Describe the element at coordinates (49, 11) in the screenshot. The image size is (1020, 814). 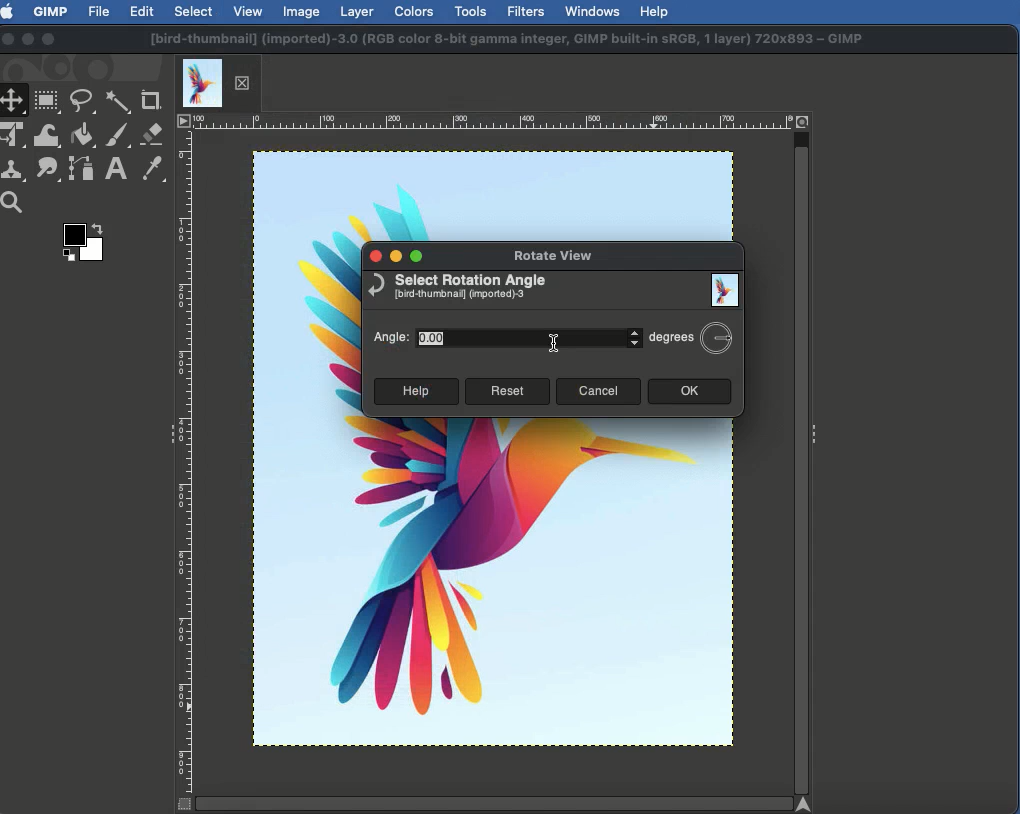
I see `GIMP` at that location.